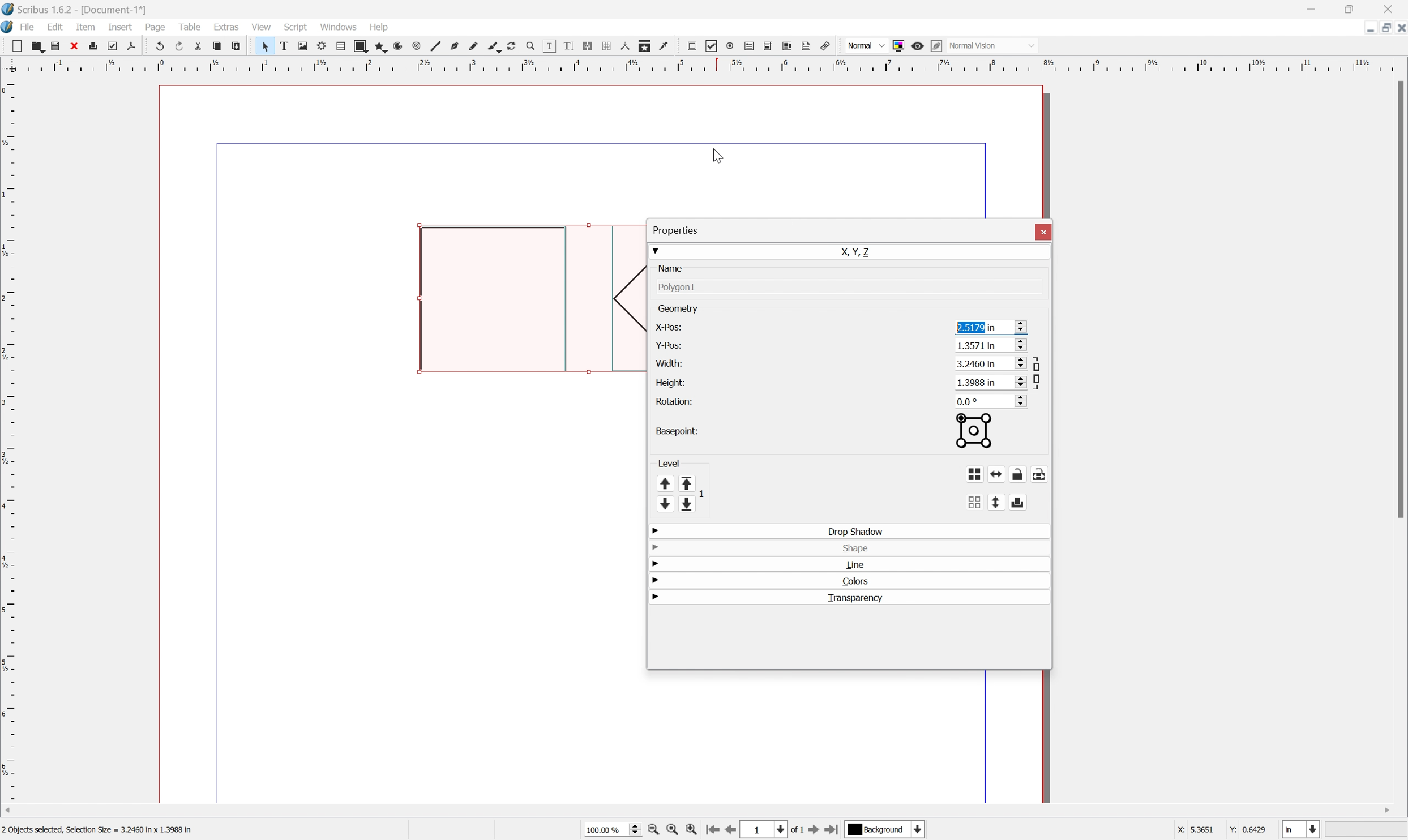 This screenshot has width=1408, height=840. What do you see at coordinates (547, 46) in the screenshot?
I see `edit contents of frame` at bounding box center [547, 46].